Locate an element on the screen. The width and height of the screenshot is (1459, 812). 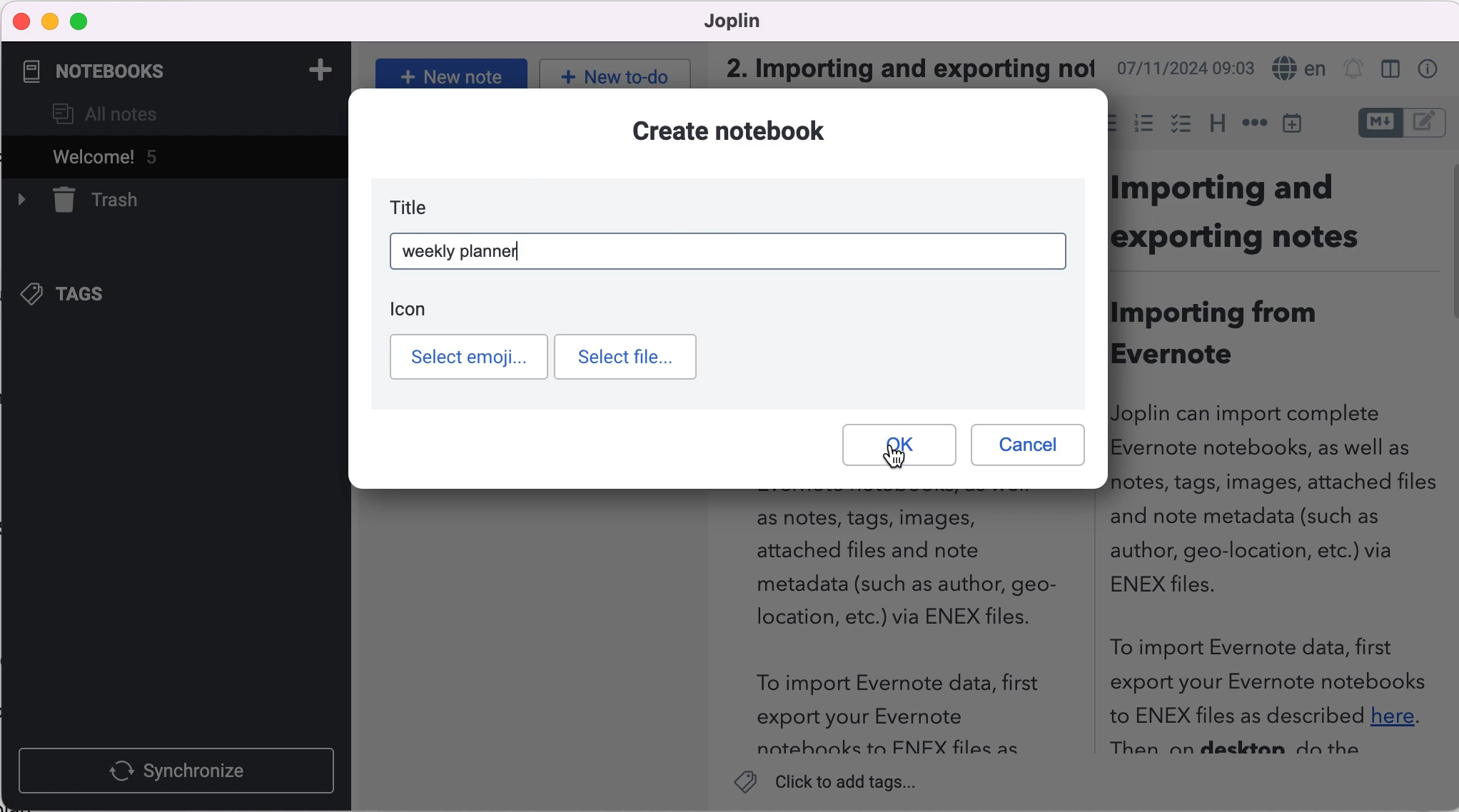
synchronize is located at coordinates (180, 770).